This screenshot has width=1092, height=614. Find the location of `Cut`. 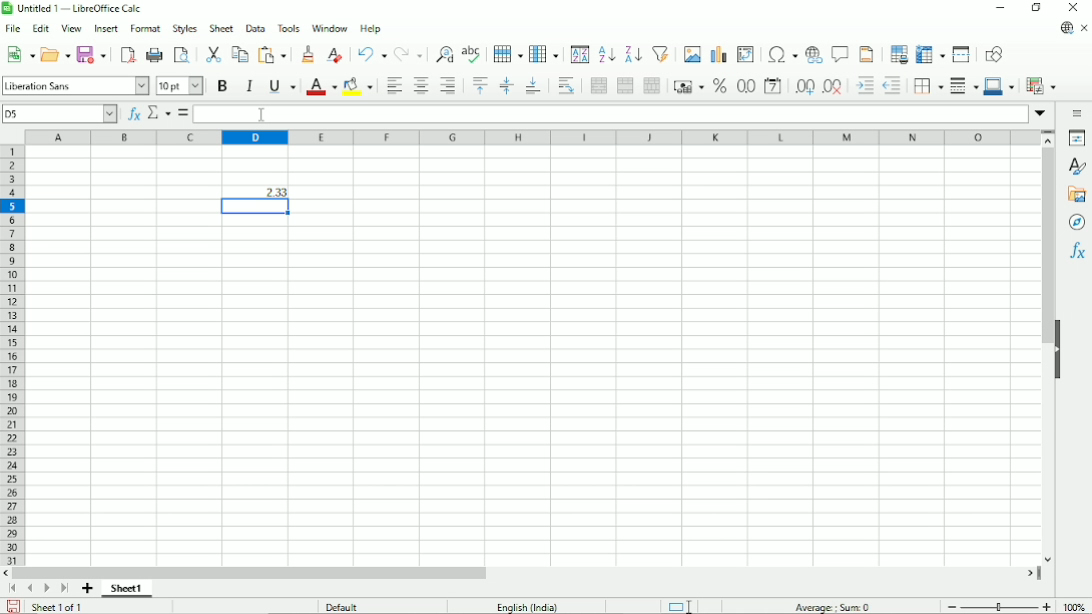

Cut is located at coordinates (213, 54).